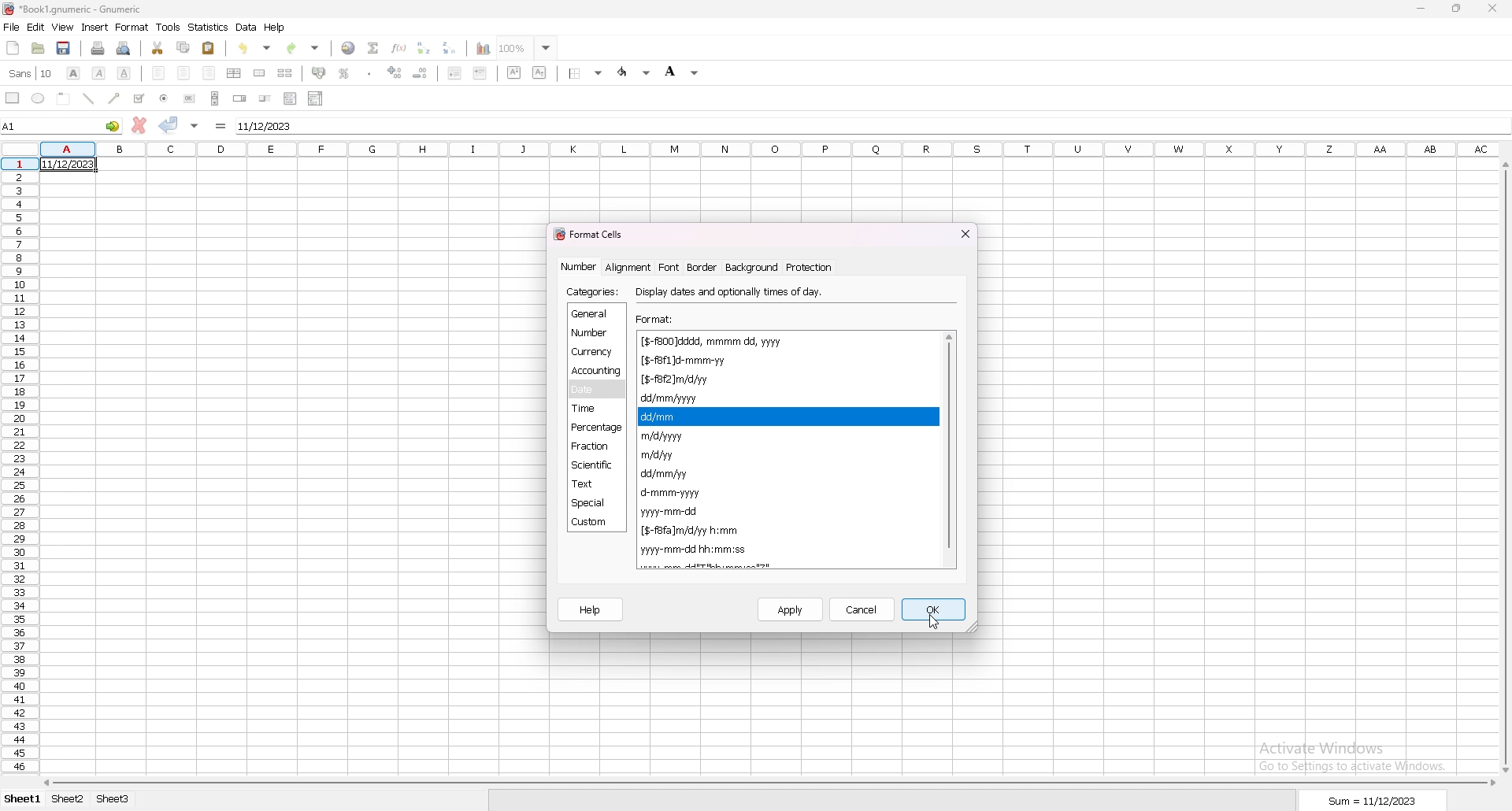 Image resolution: width=1512 pixels, height=811 pixels. I want to click on background, so click(681, 72).